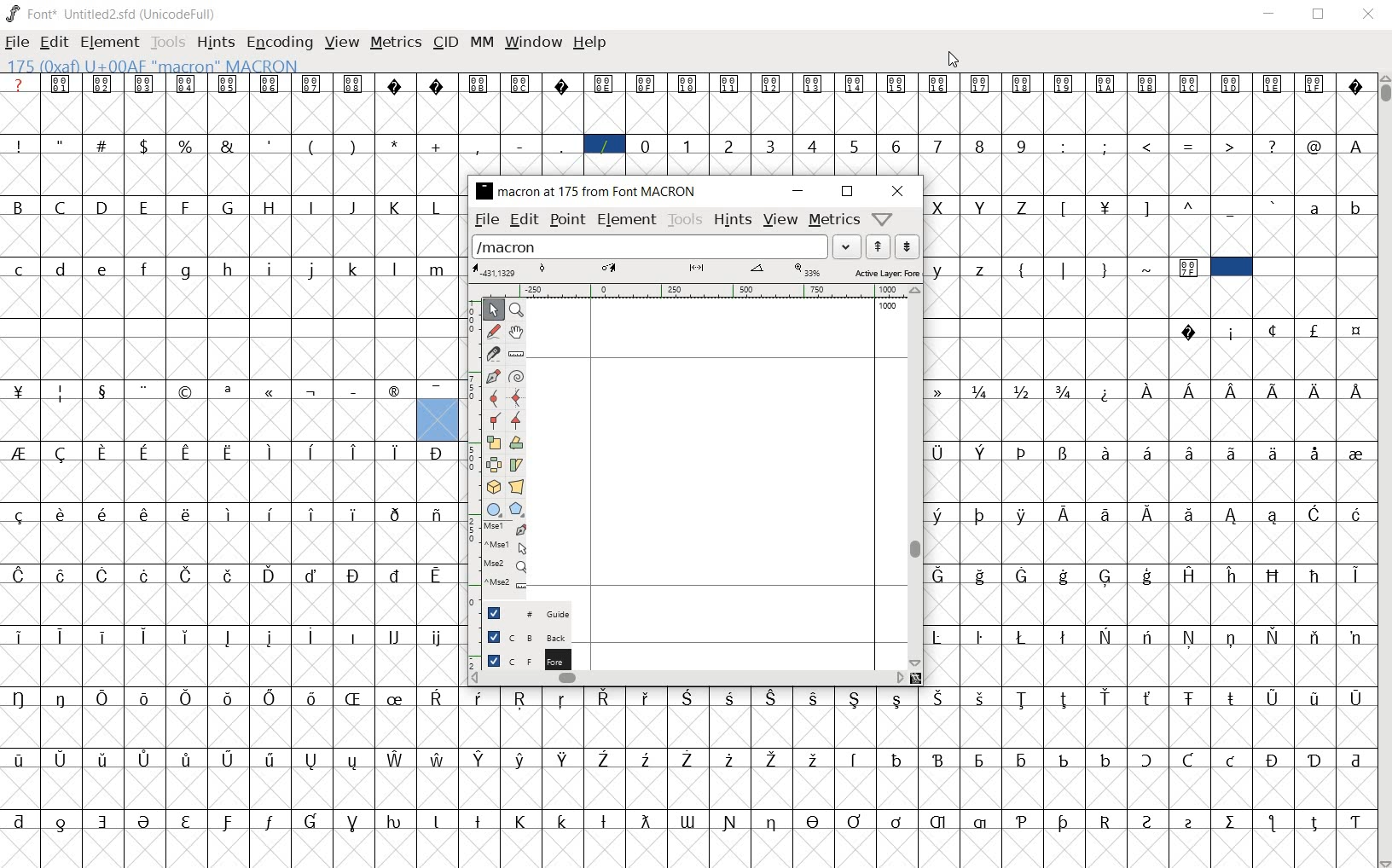  Describe the element at coordinates (646, 84) in the screenshot. I see `Symbol` at that location.